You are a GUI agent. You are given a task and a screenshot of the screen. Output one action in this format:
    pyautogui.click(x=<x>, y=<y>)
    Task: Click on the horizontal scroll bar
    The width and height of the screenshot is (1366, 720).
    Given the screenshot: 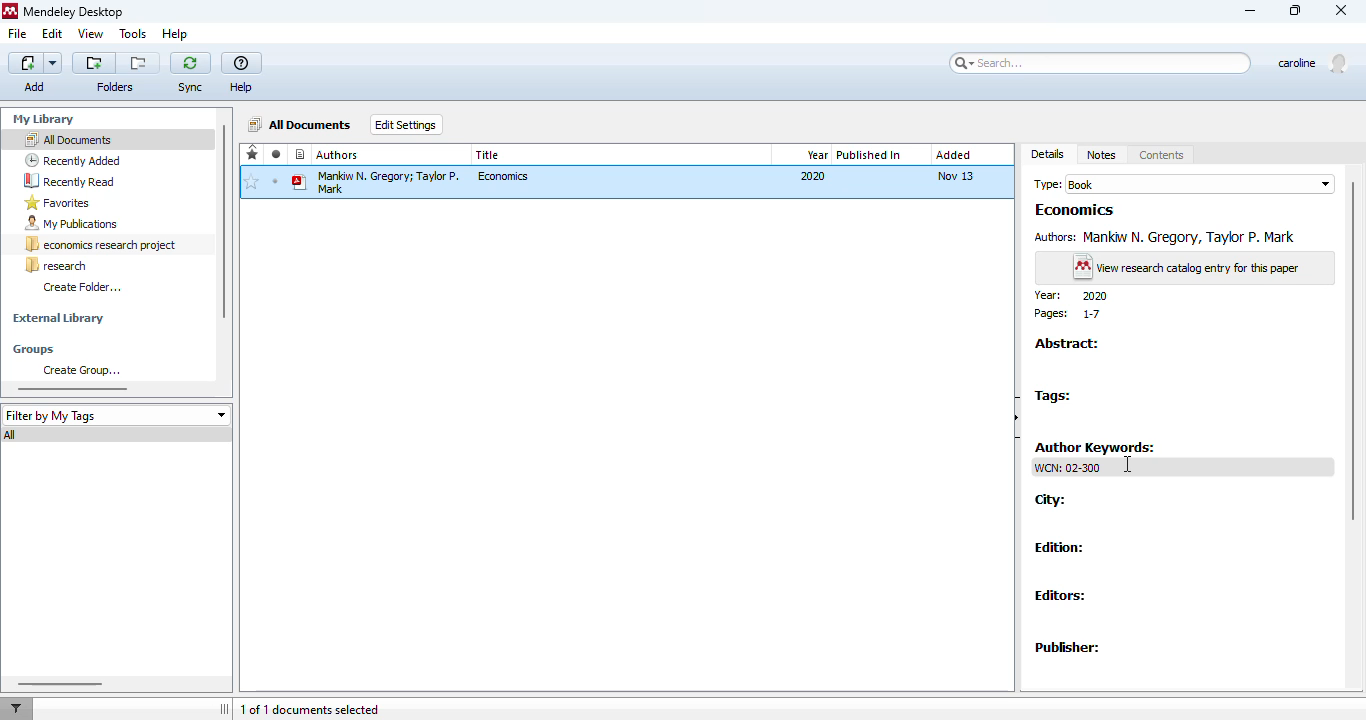 What is the action you would take?
    pyautogui.click(x=61, y=684)
    